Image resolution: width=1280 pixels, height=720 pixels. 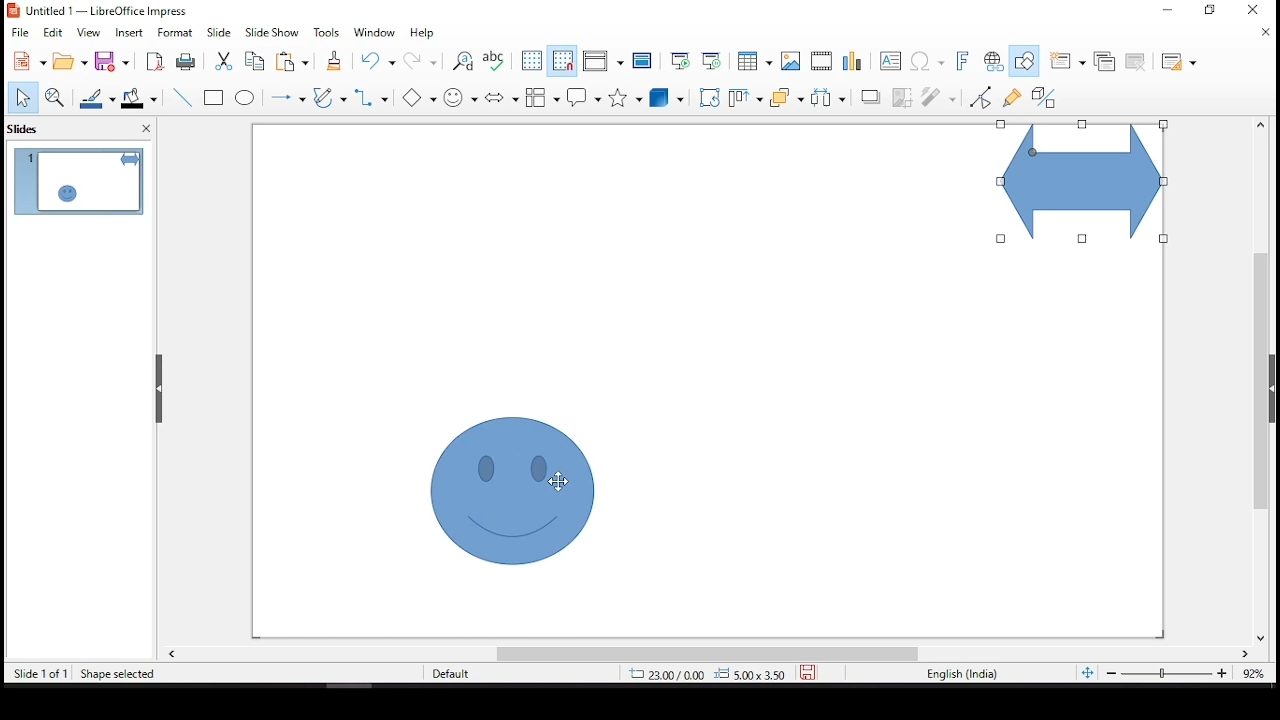 What do you see at coordinates (1215, 14) in the screenshot?
I see `restore` at bounding box center [1215, 14].